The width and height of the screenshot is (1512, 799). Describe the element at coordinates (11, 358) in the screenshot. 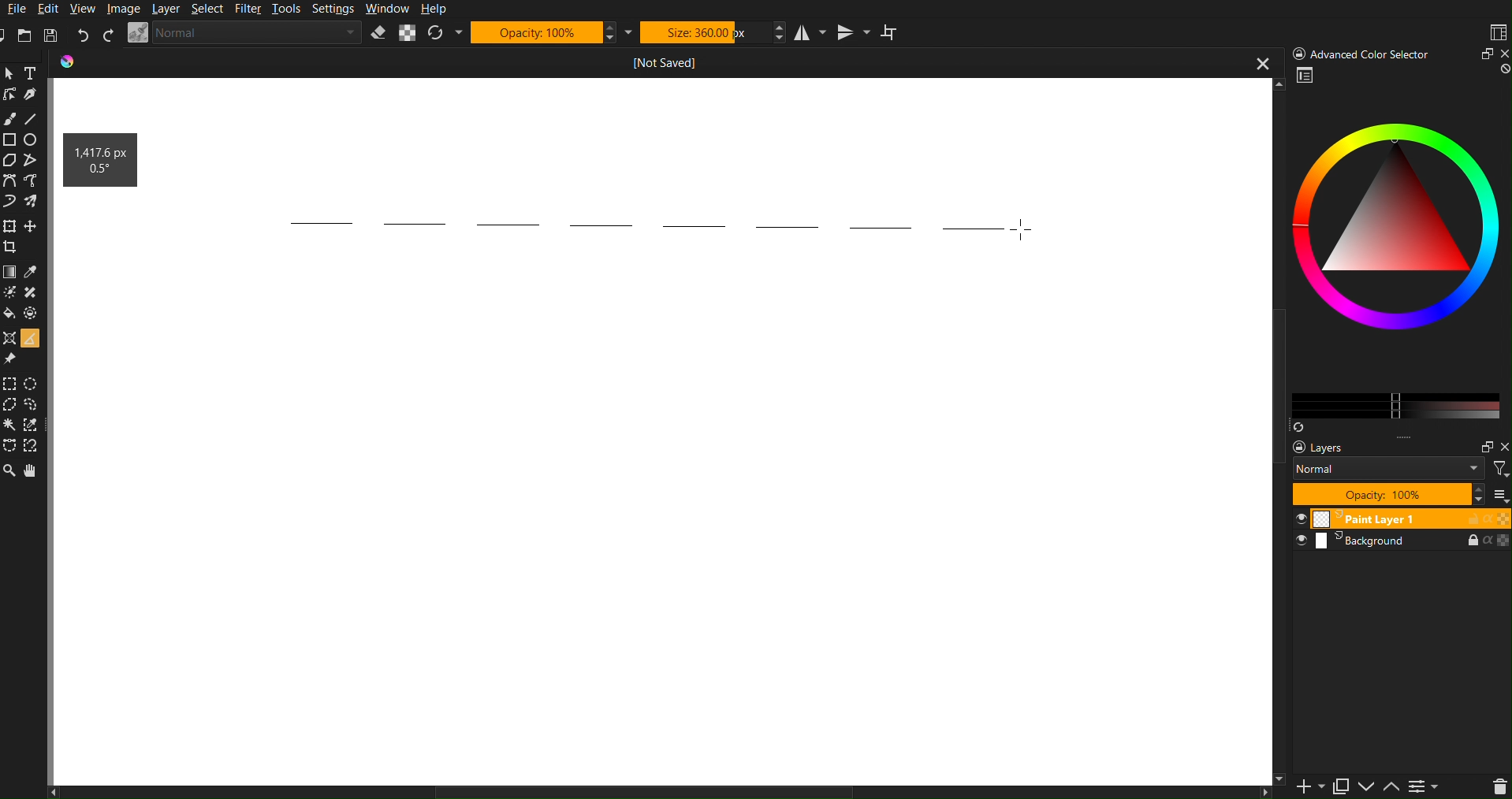

I see `Pin Tool` at that location.